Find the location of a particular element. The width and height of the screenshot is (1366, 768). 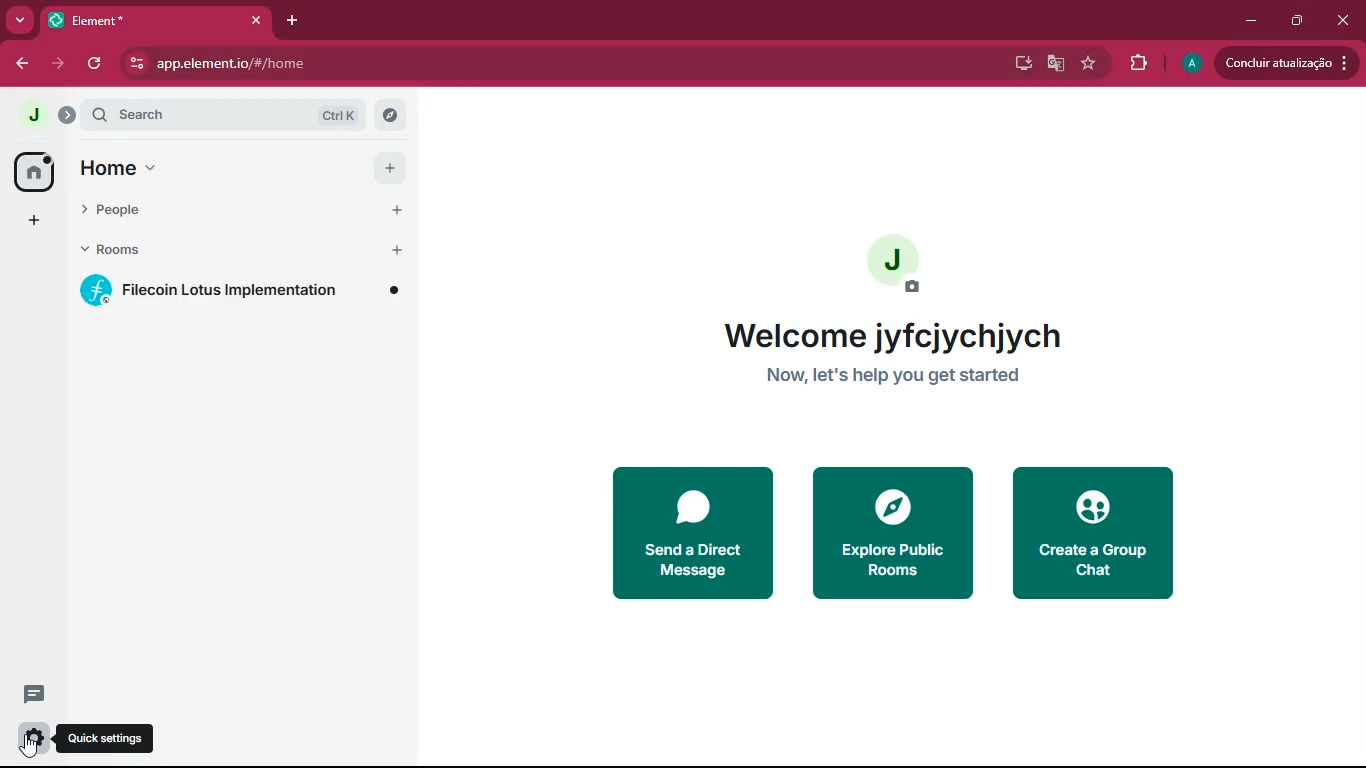

cursor is located at coordinates (28, 746).